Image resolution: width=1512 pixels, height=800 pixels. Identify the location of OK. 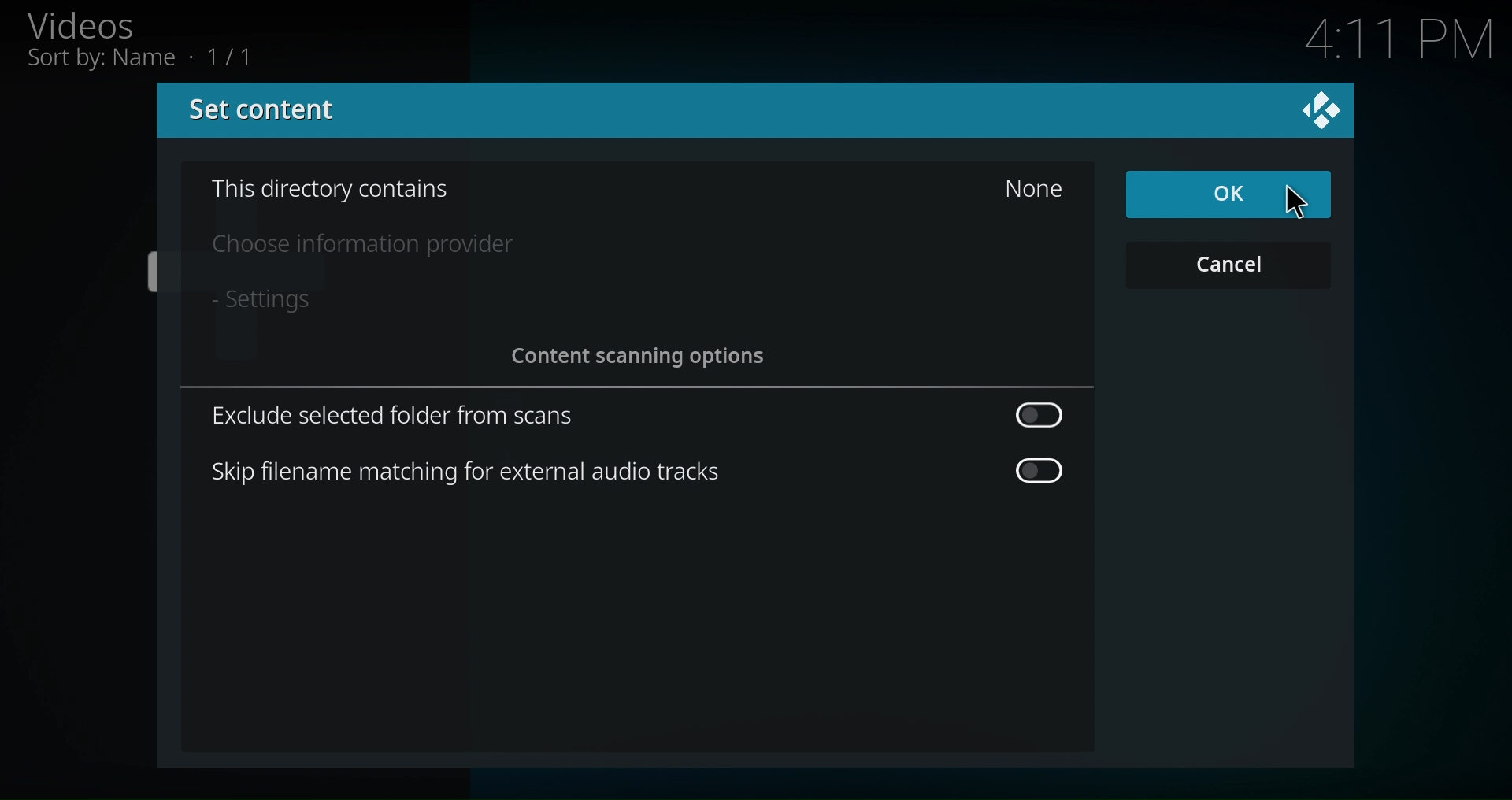
(1227, 194).